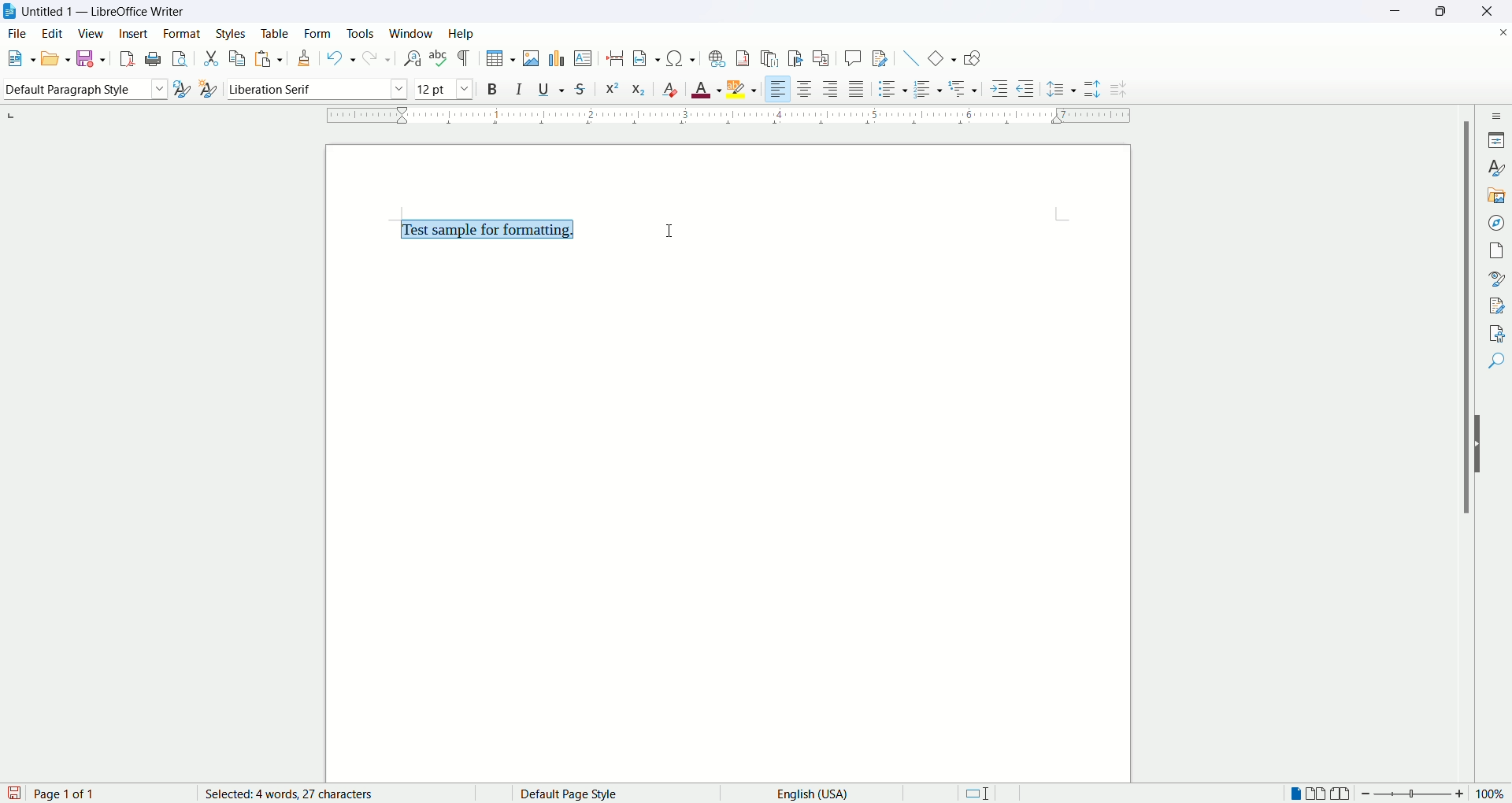 The image size is (1512, 803). What do you see at coordinates (613, 88) in the screenshot?
I see `superscript` at bounding box center [613, 88].